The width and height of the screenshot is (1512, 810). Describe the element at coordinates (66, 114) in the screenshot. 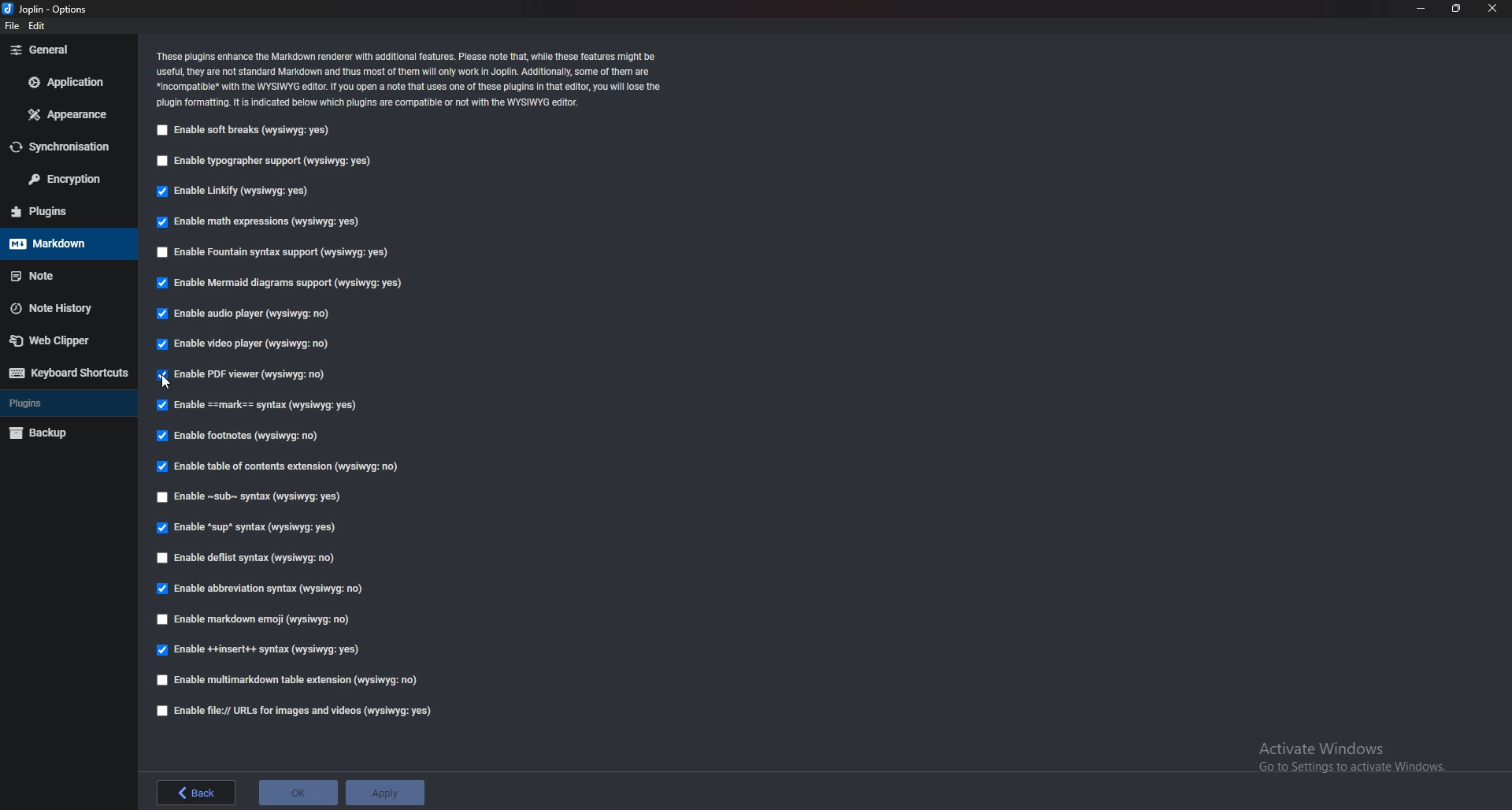

I see `Appearance` at that location.